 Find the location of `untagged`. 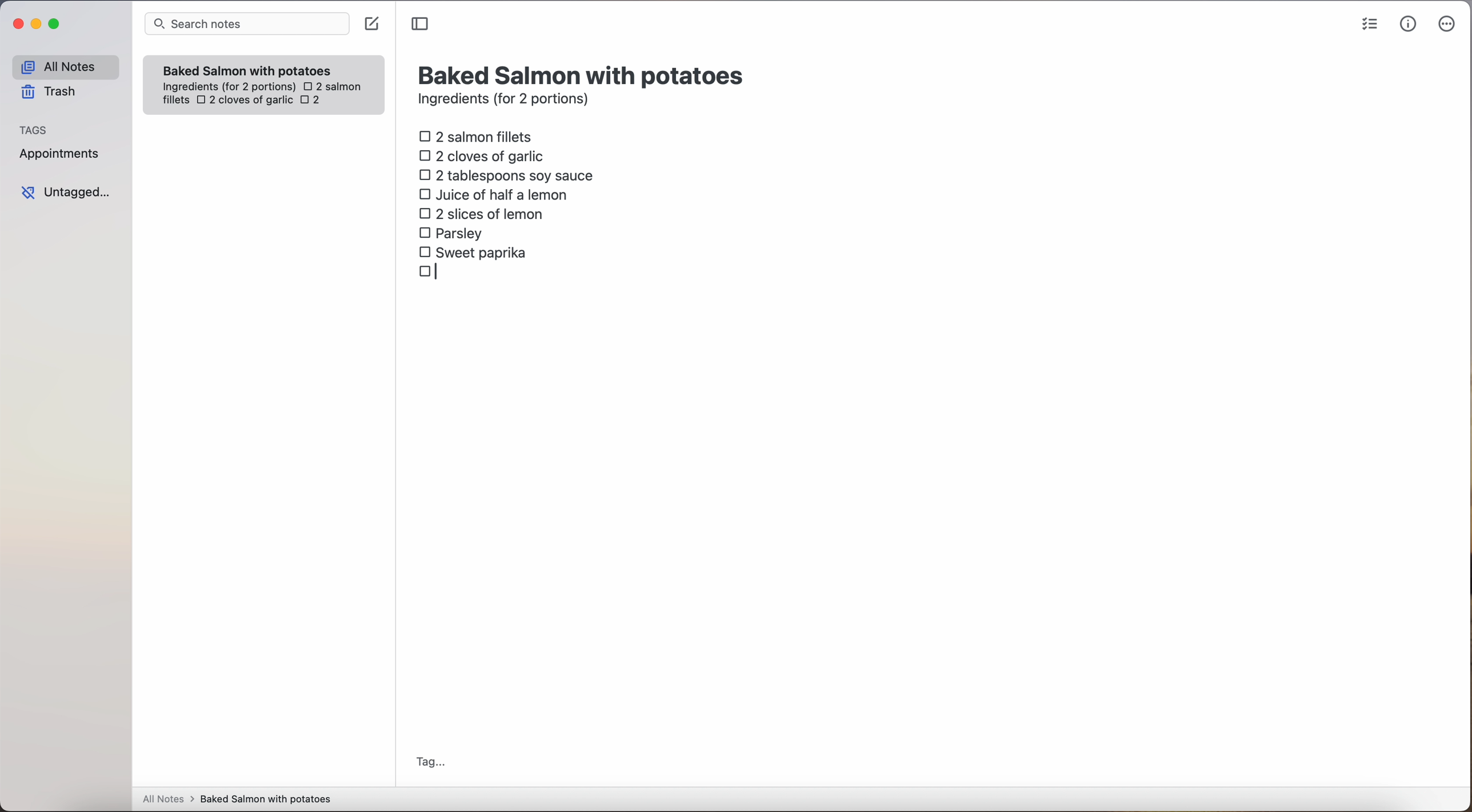

untagged is located at coordinates (67, 192).